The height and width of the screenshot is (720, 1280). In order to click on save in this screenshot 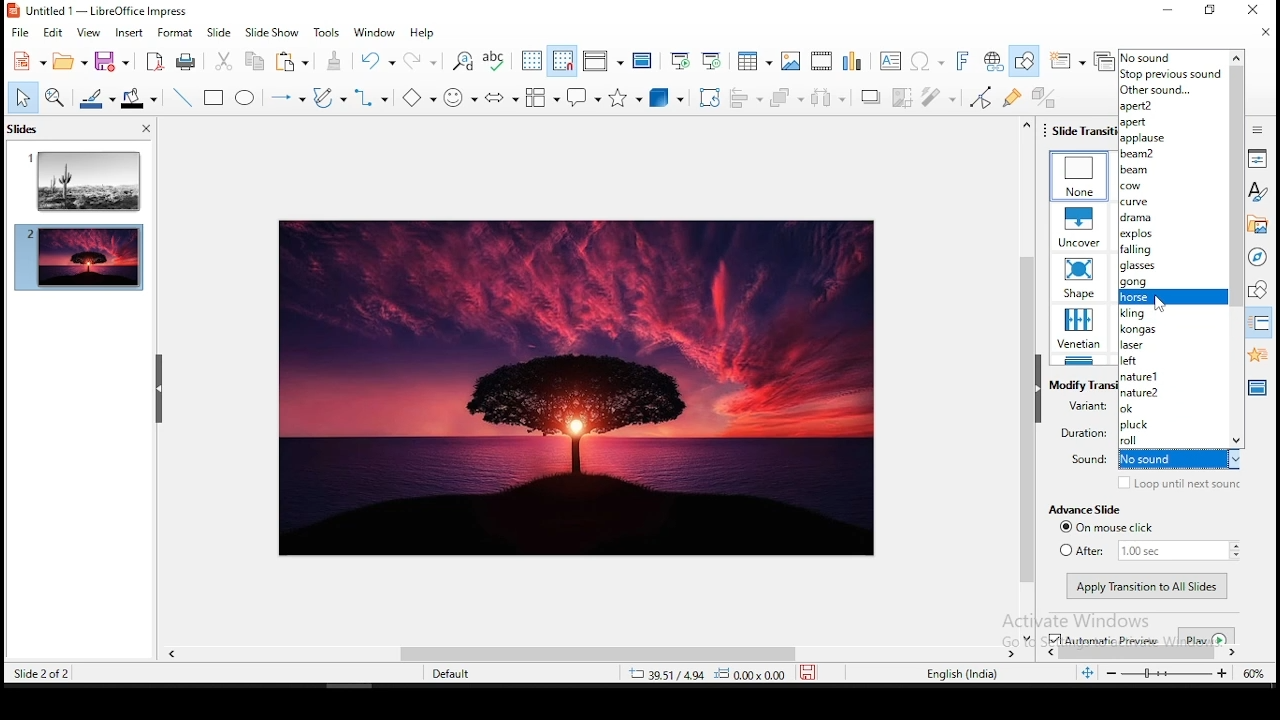, I will do `click(111, 62)`.